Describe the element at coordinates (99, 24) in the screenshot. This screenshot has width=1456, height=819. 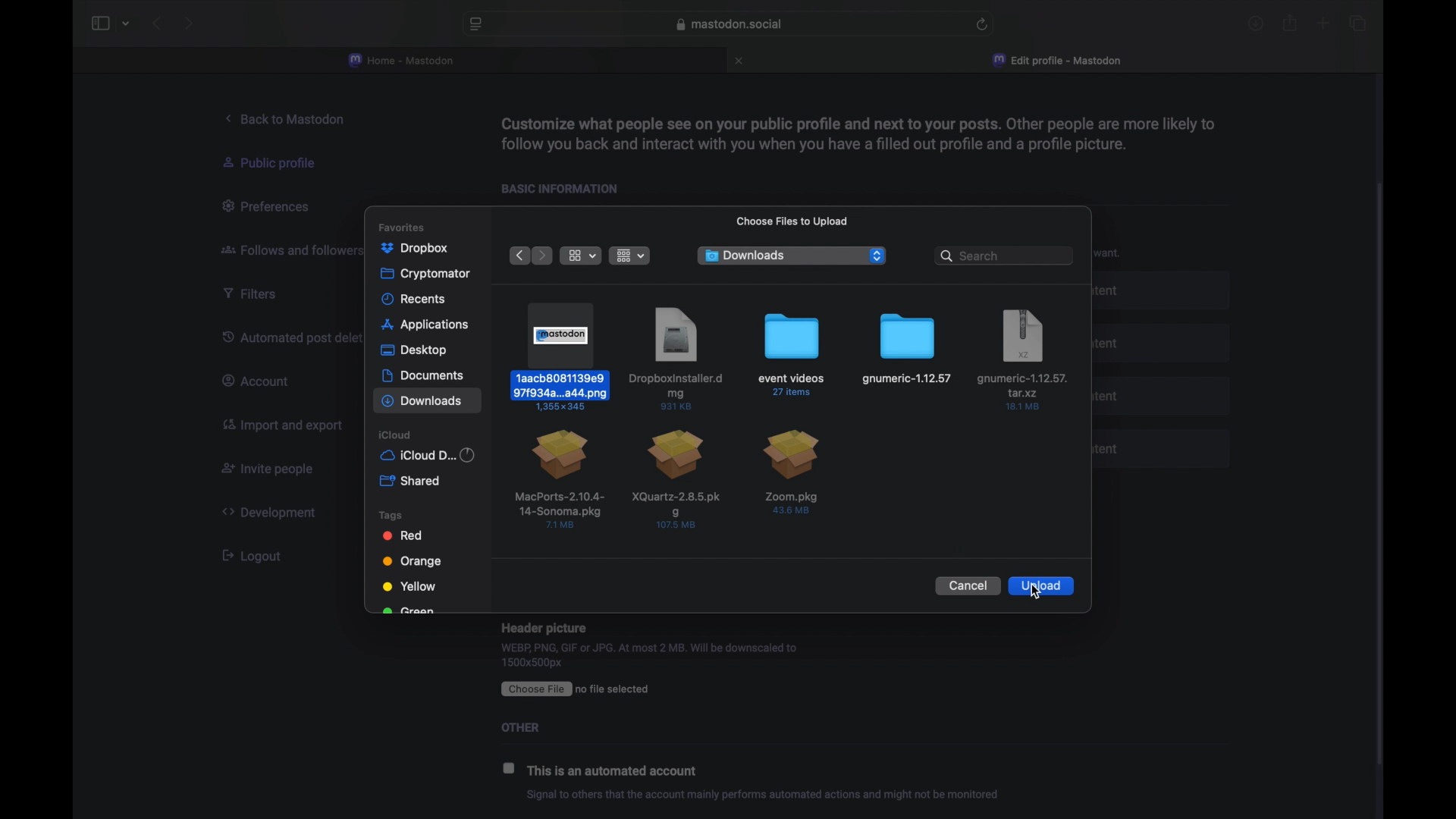
I see `sidebar` at that location.